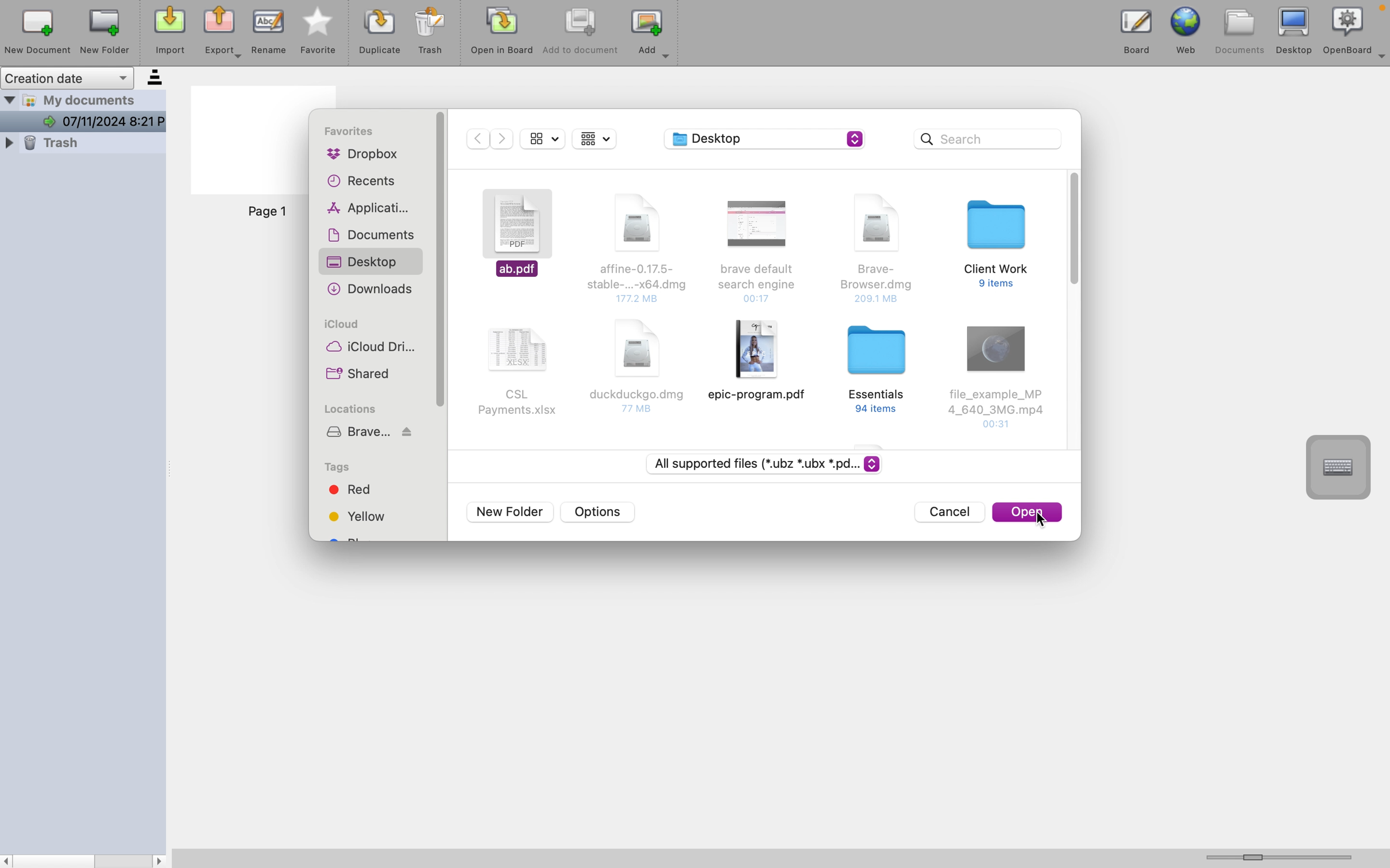  I want to click on openboard, so click(1348, 29).